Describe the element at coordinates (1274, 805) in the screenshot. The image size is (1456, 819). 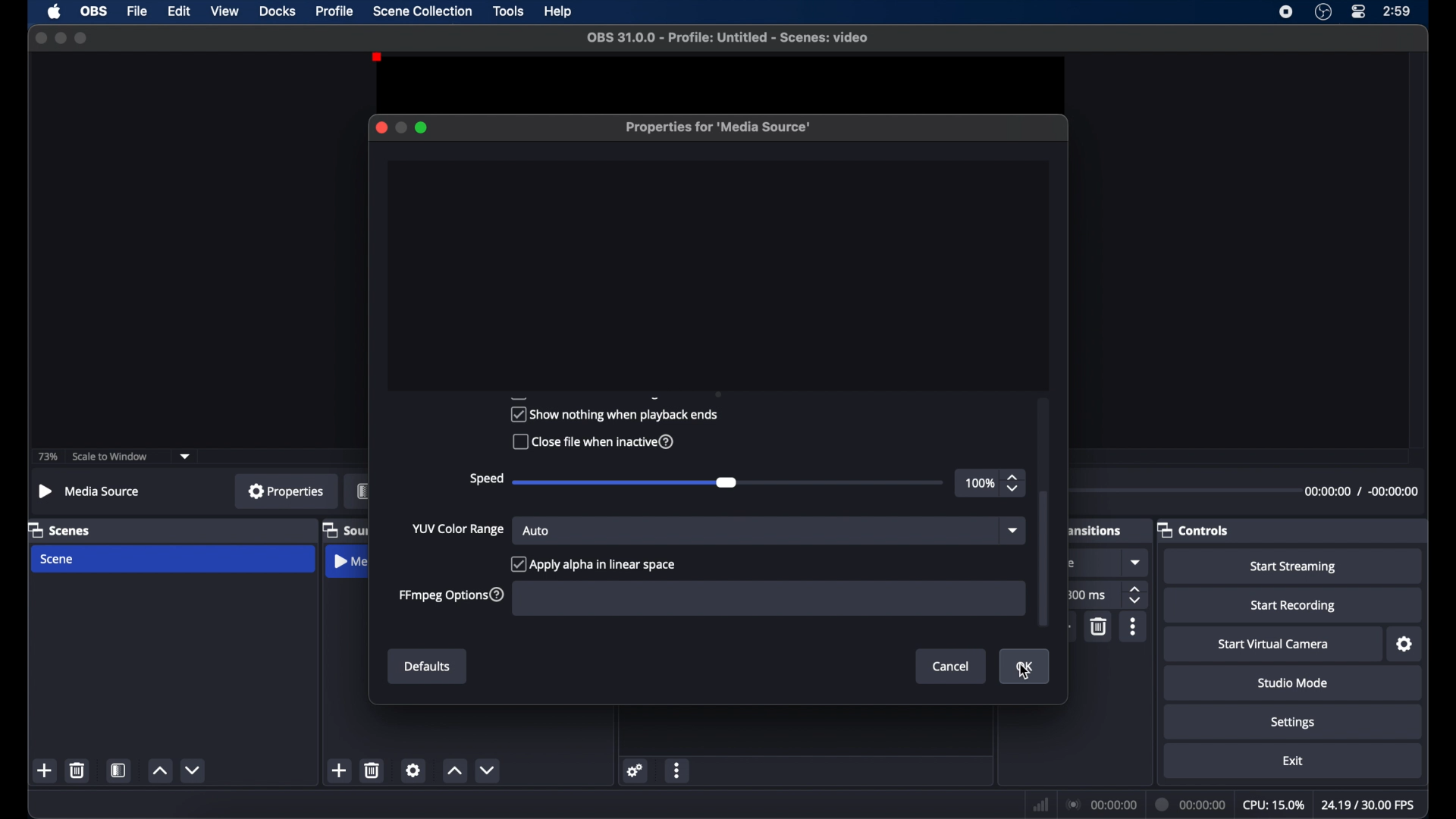
I see `cpu` at that location.